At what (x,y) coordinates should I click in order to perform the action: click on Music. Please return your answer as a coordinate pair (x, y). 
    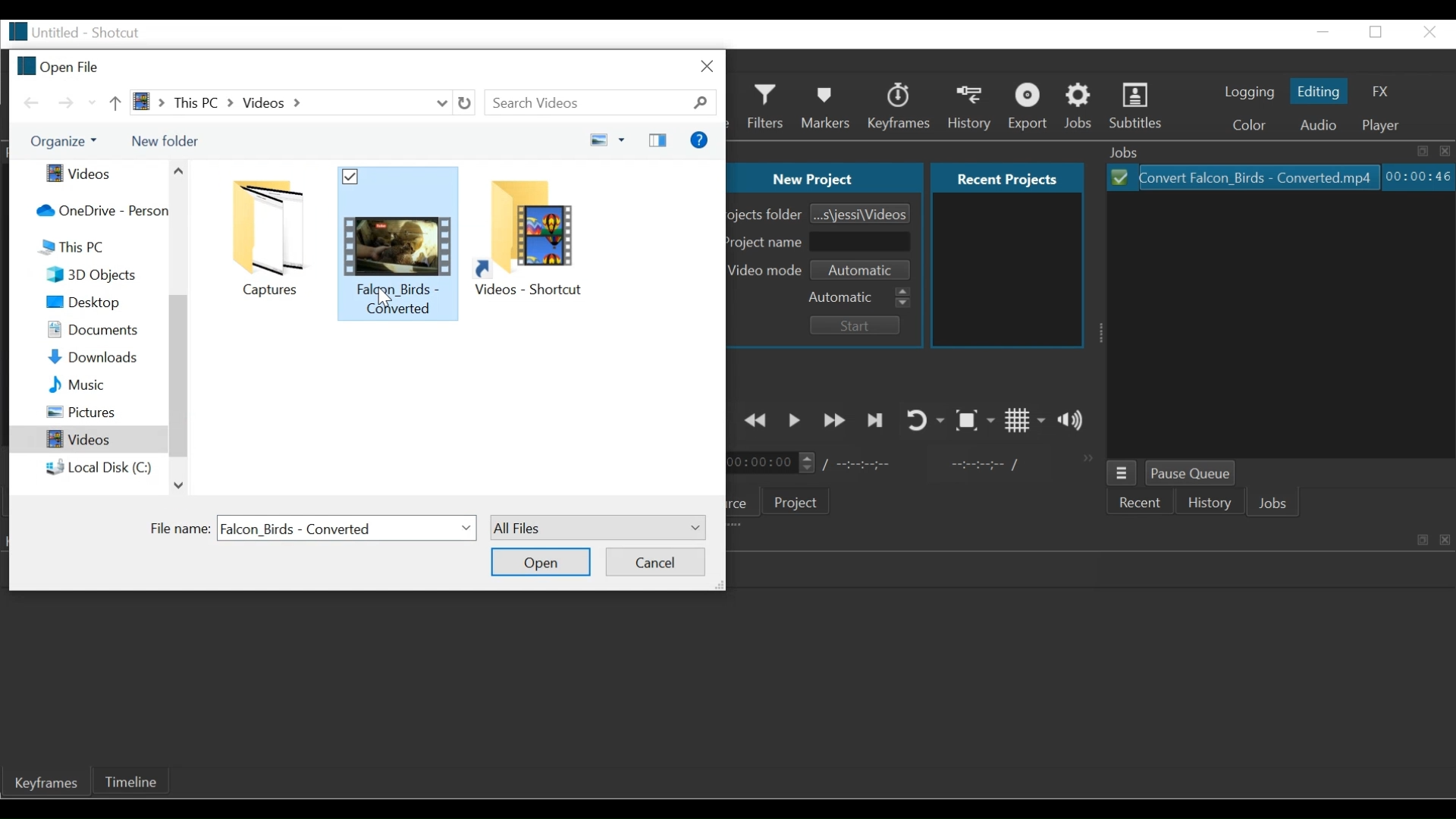
    Looking at the image, I should click on (99, 383).